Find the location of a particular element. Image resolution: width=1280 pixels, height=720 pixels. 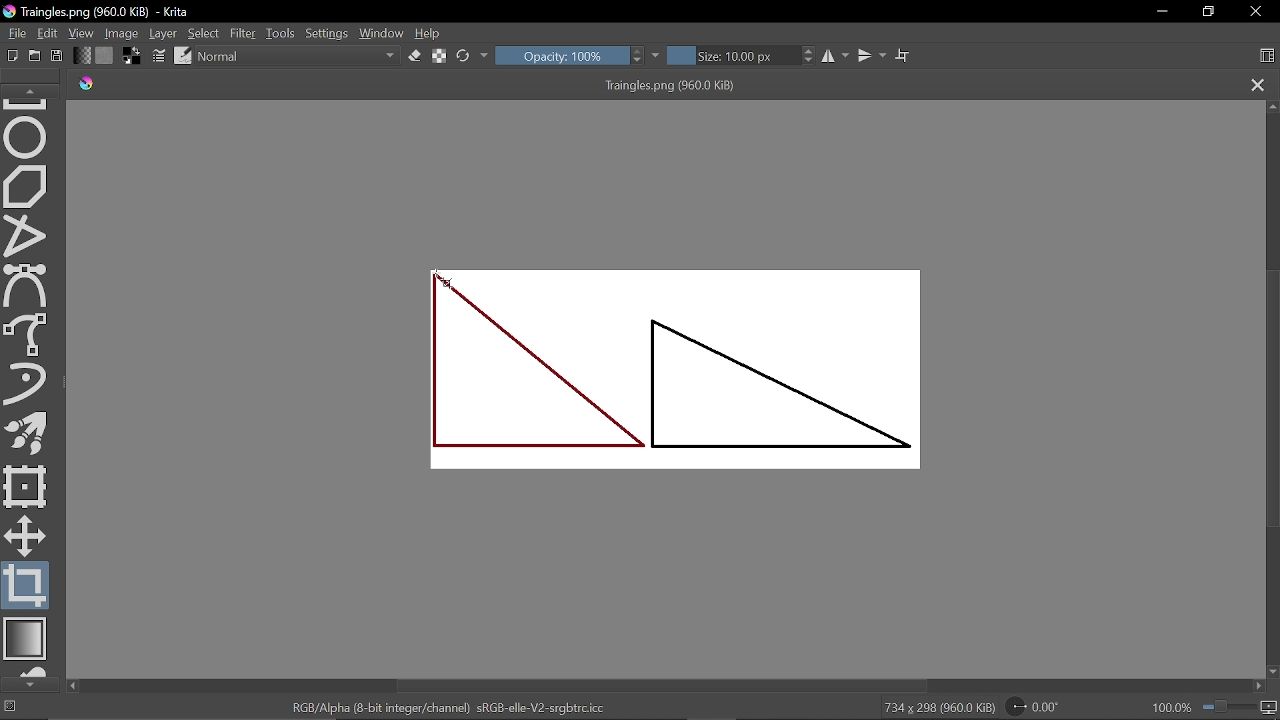

Fill pattern is located at coordinates (105, 56).